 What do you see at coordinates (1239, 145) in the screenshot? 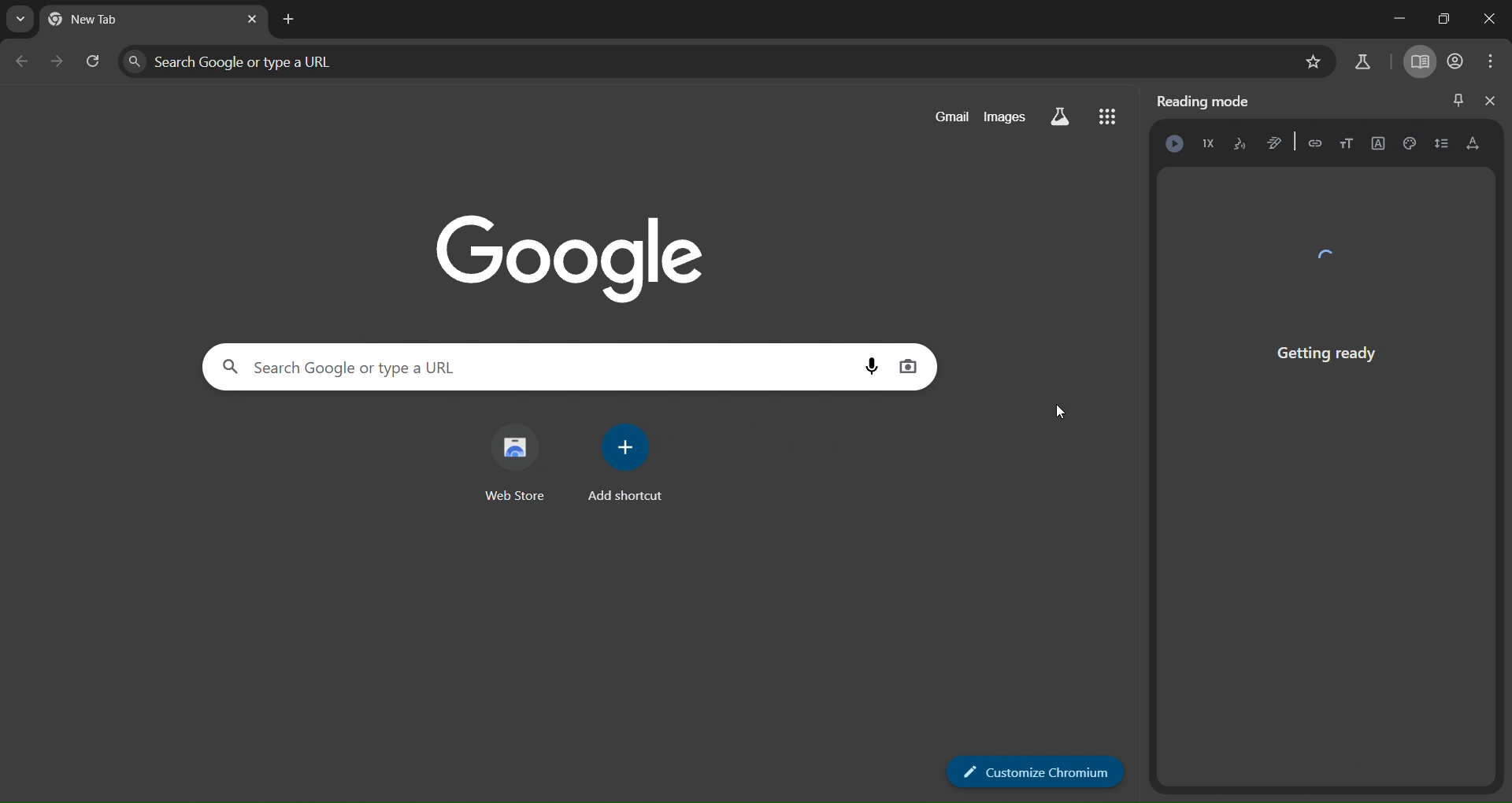
I see `voice selection` at bounding box center [1239, 145].